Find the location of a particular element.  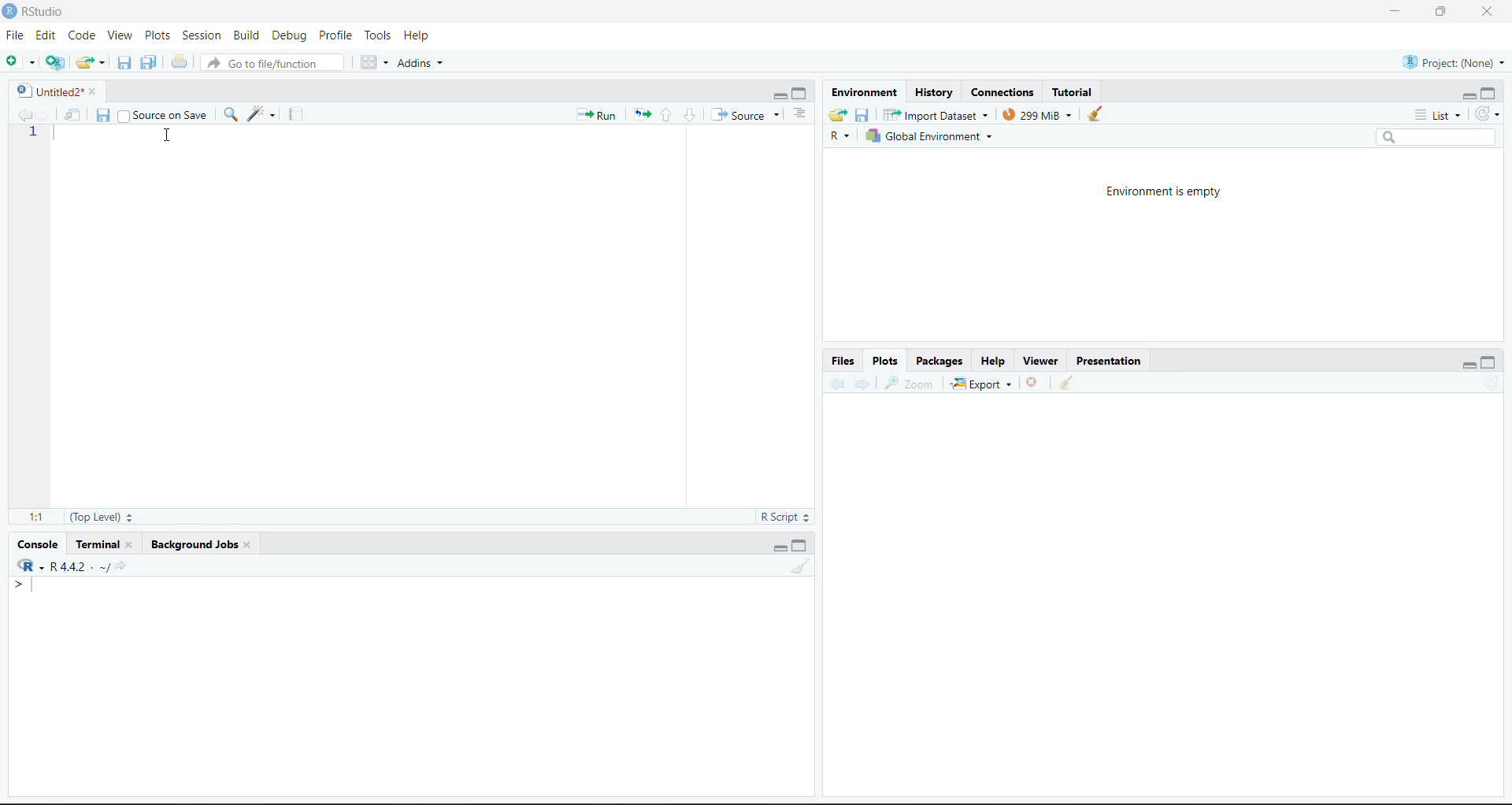

save current document is located at coordinates (124, 61).